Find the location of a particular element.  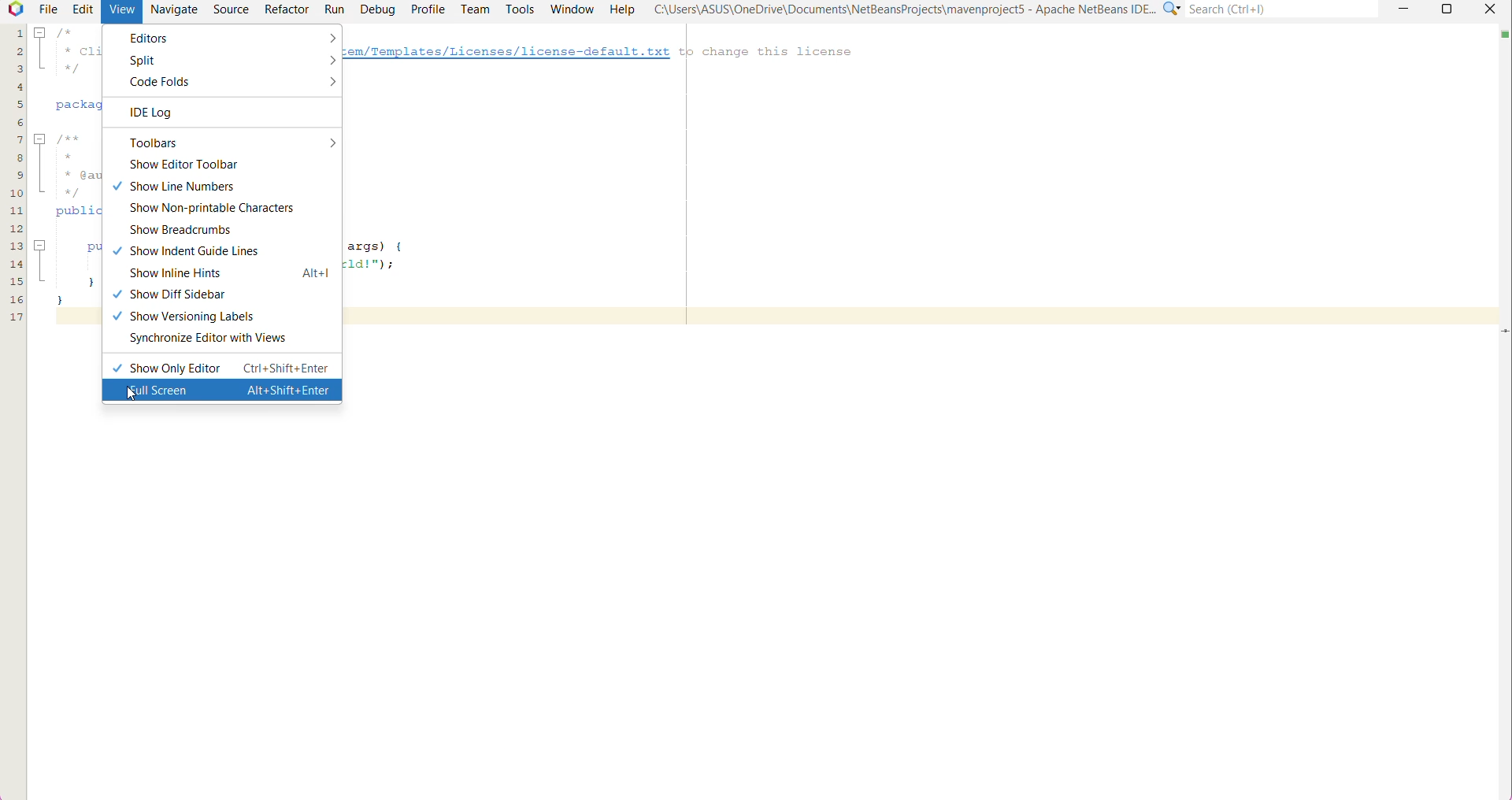

Show Indent Guide Lines is located at coordinates (195, 252).